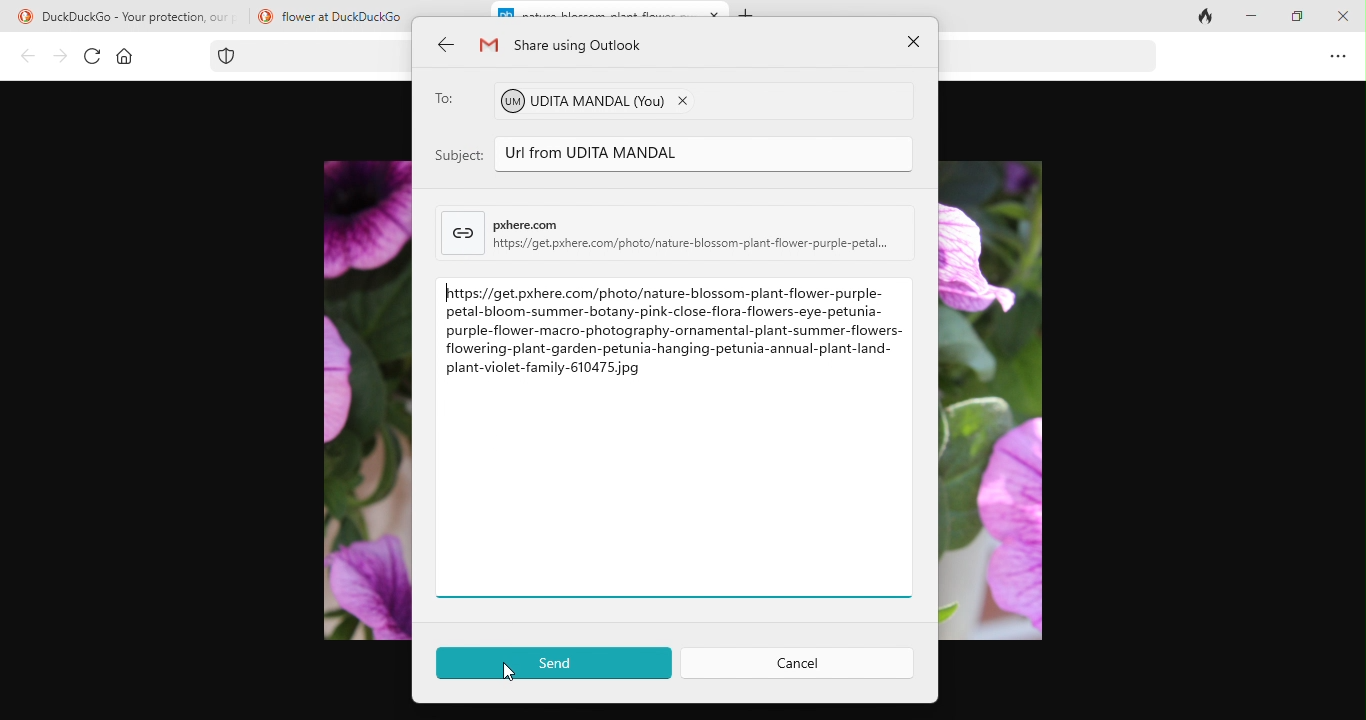  Describe the element at coordinates (263, 15) in the screenshot. I see `duckduck go logo` at that location.